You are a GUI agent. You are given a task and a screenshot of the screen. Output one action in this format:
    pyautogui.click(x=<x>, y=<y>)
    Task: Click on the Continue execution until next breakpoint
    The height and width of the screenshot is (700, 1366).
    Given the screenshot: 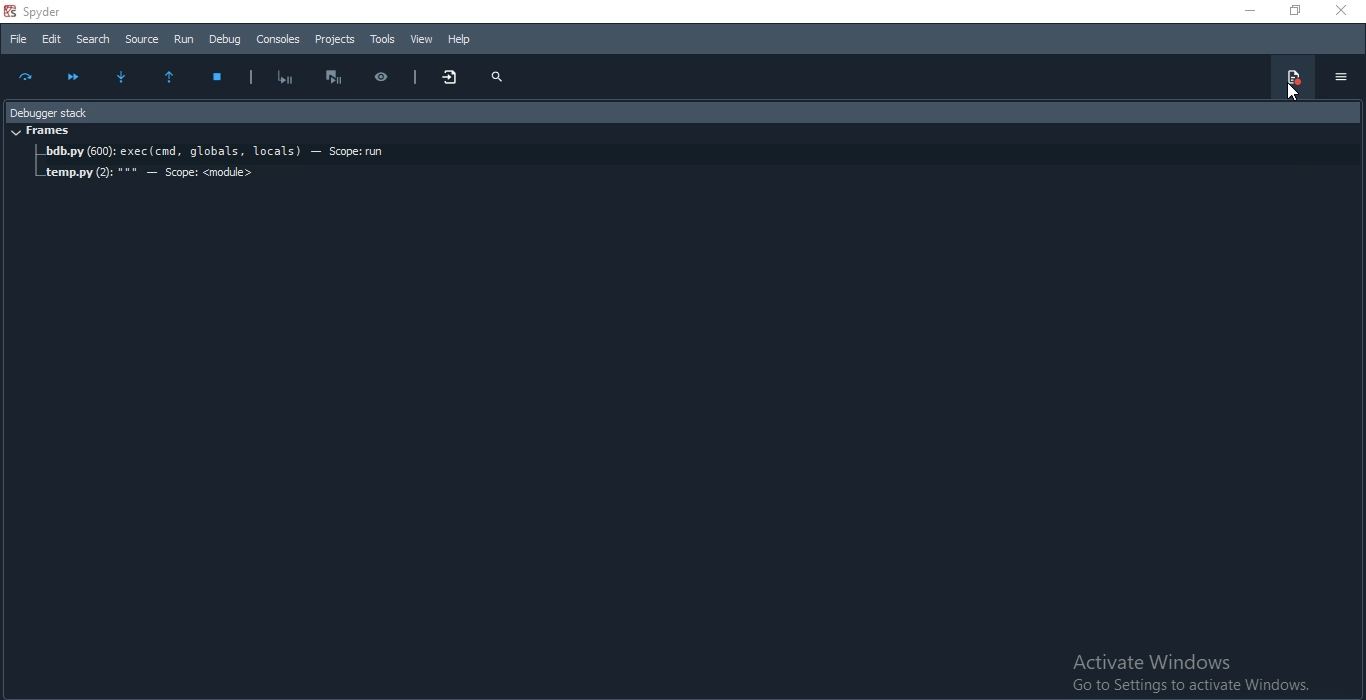 What is the action you would take?
    pyautogui.click(x=73, y=75)
    